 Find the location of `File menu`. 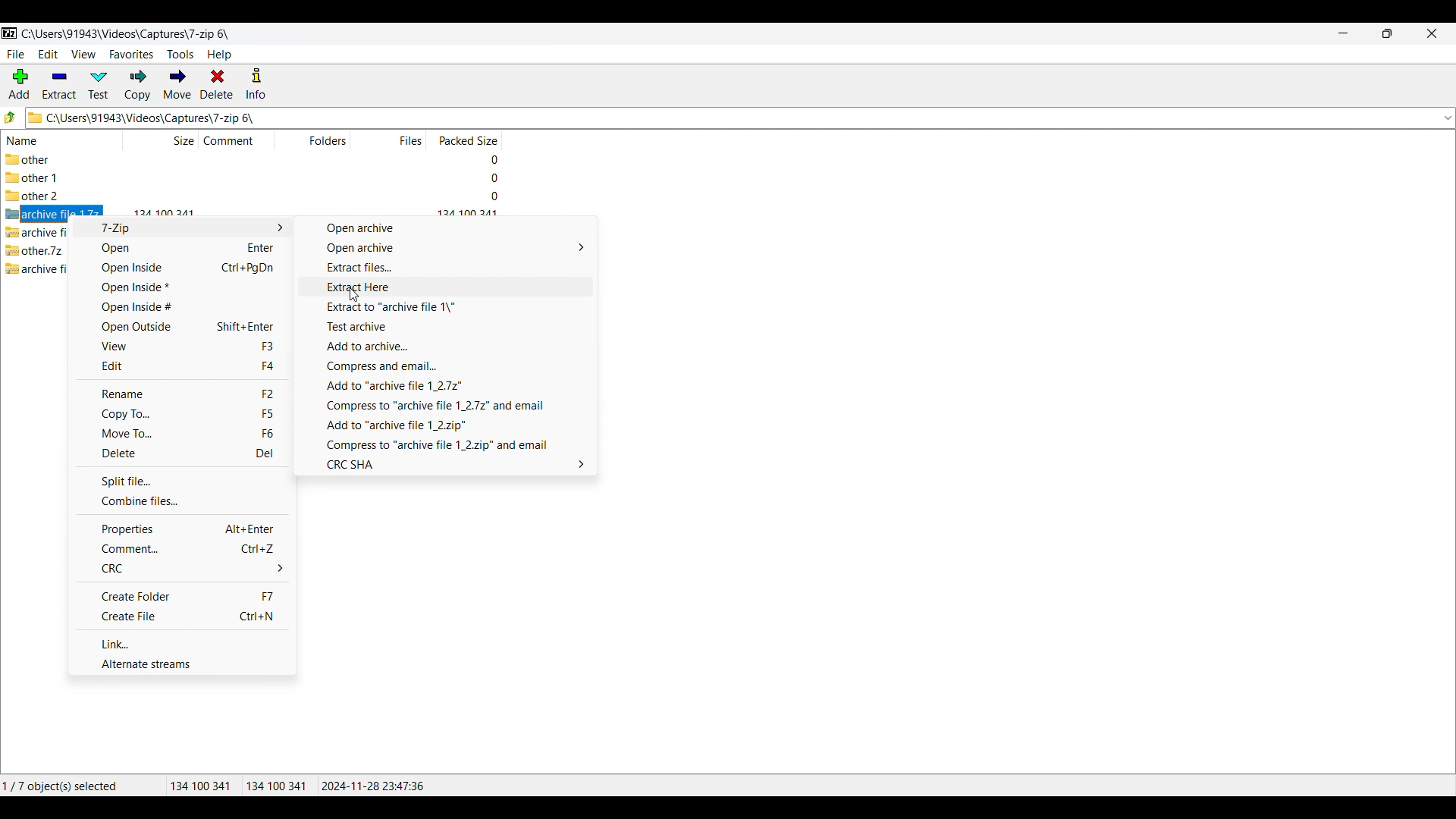

File menu is located at coordinates (15, 55).